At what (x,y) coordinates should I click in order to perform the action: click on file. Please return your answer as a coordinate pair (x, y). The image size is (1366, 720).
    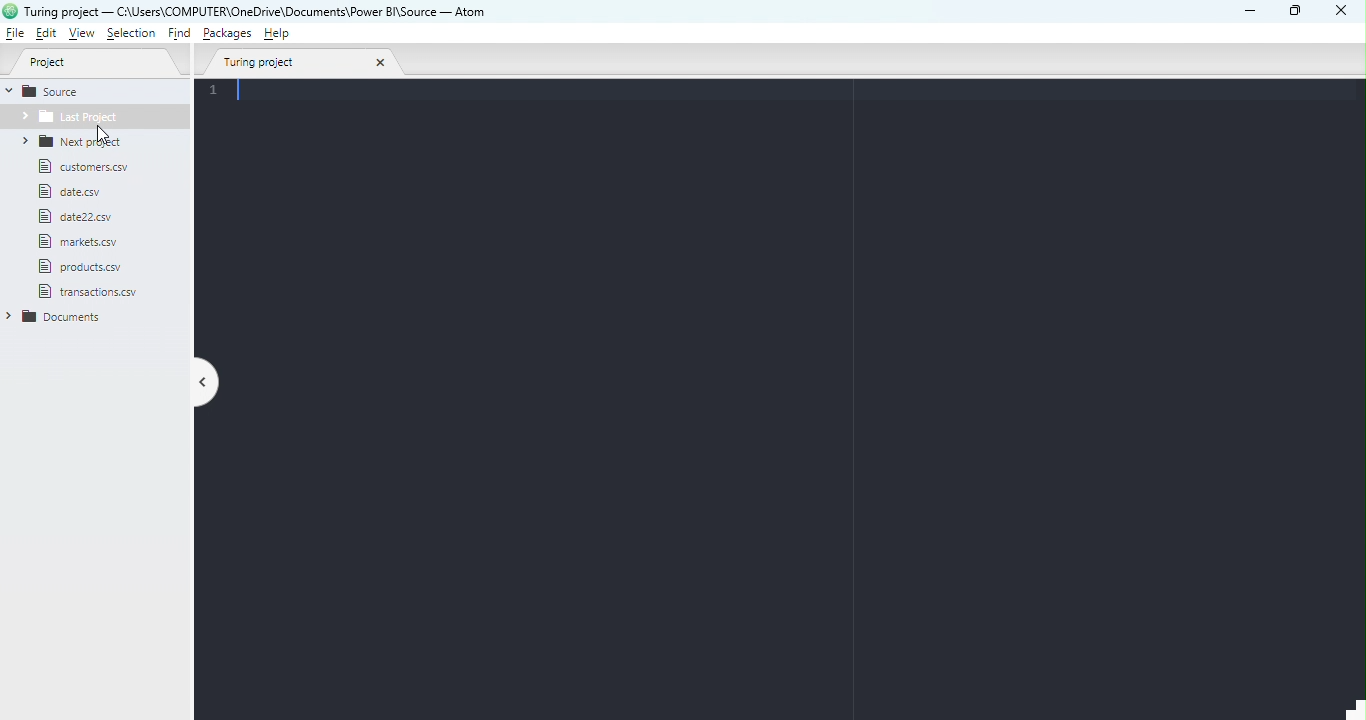
    Looking at the image, I should click on (78, 217).